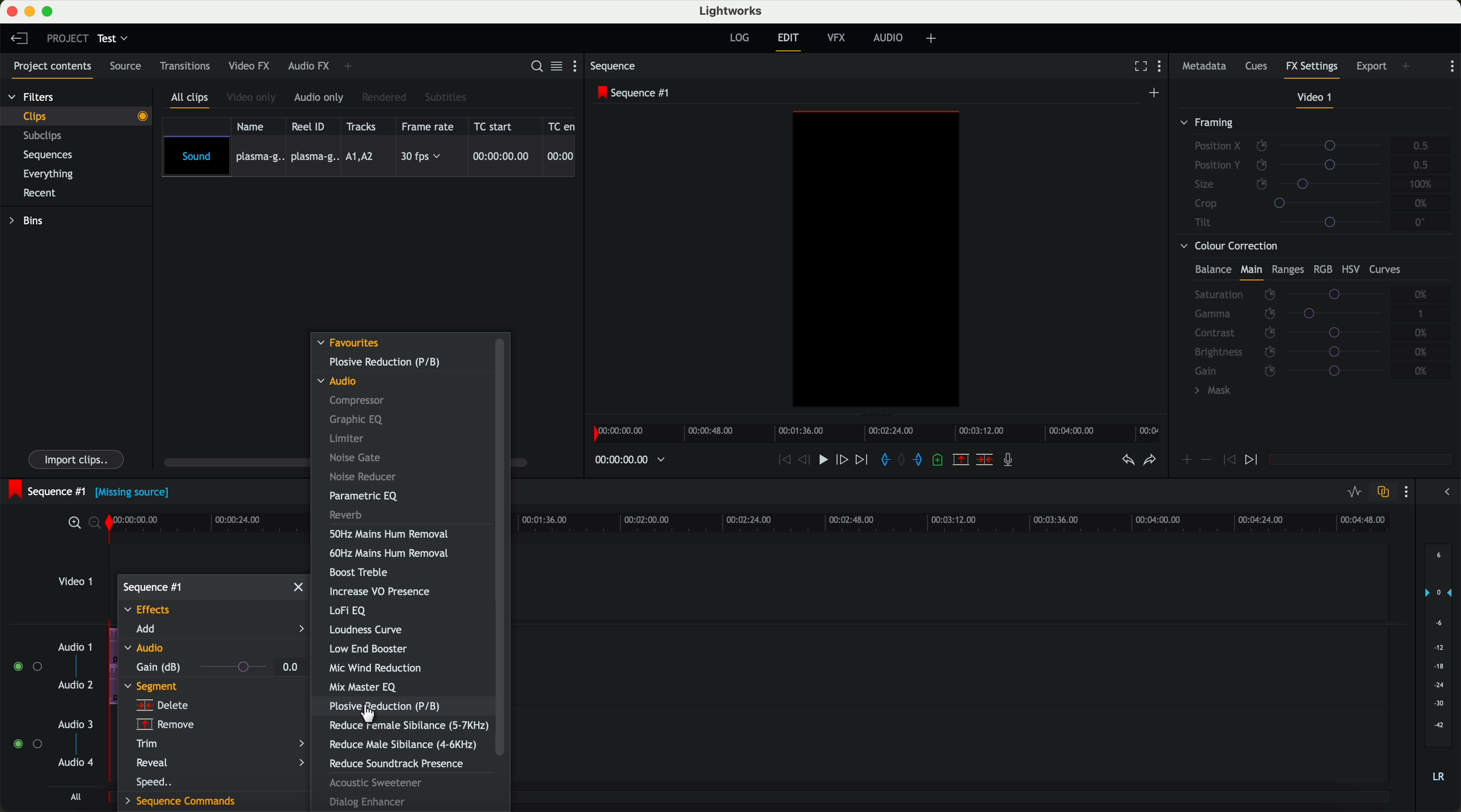 This screenshot has height=812, width=1461. I want to click on toggle audio levels editing, so click(1354, 492).